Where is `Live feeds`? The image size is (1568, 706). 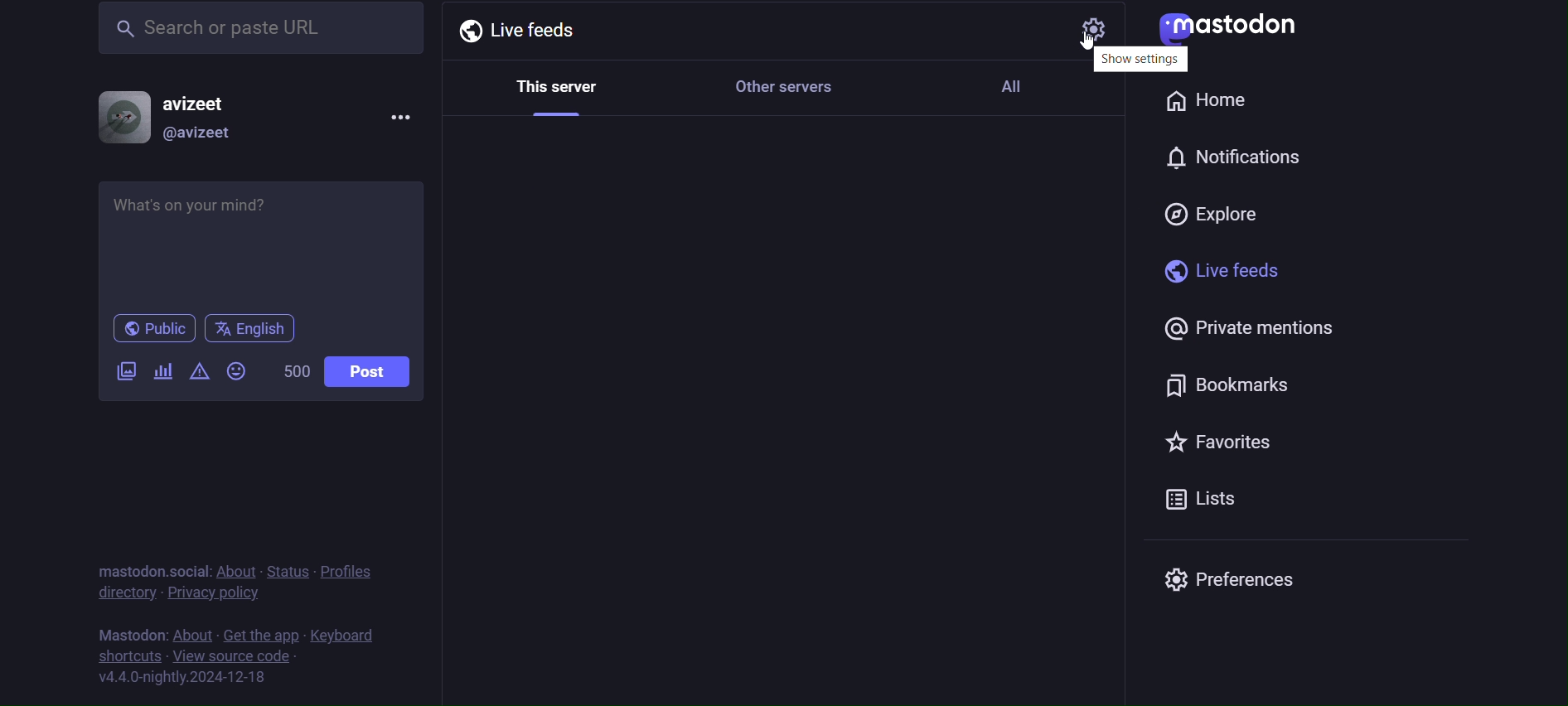
Live feeds is located at coordinates (525, 35).